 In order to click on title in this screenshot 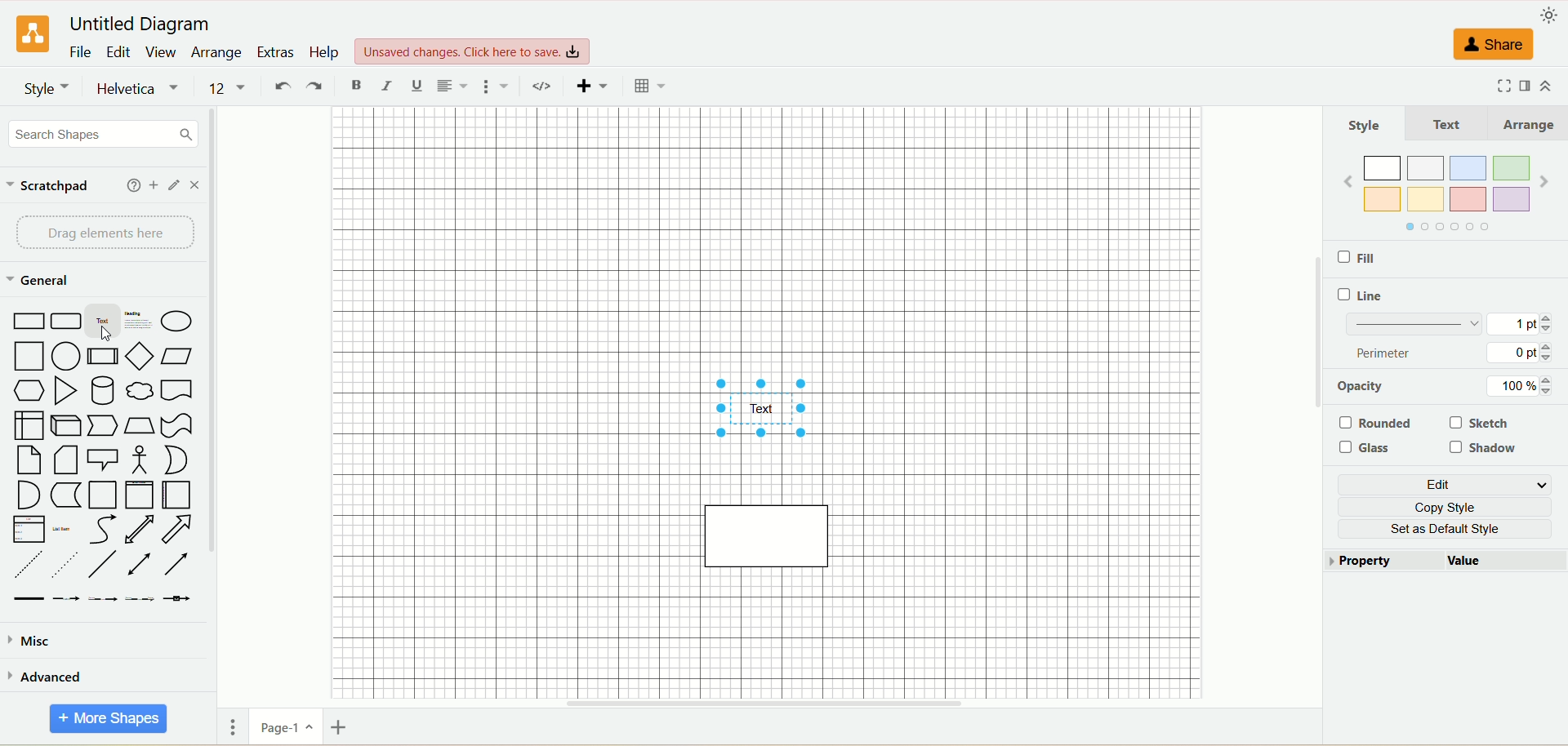, I will do `click(138, 24)`.